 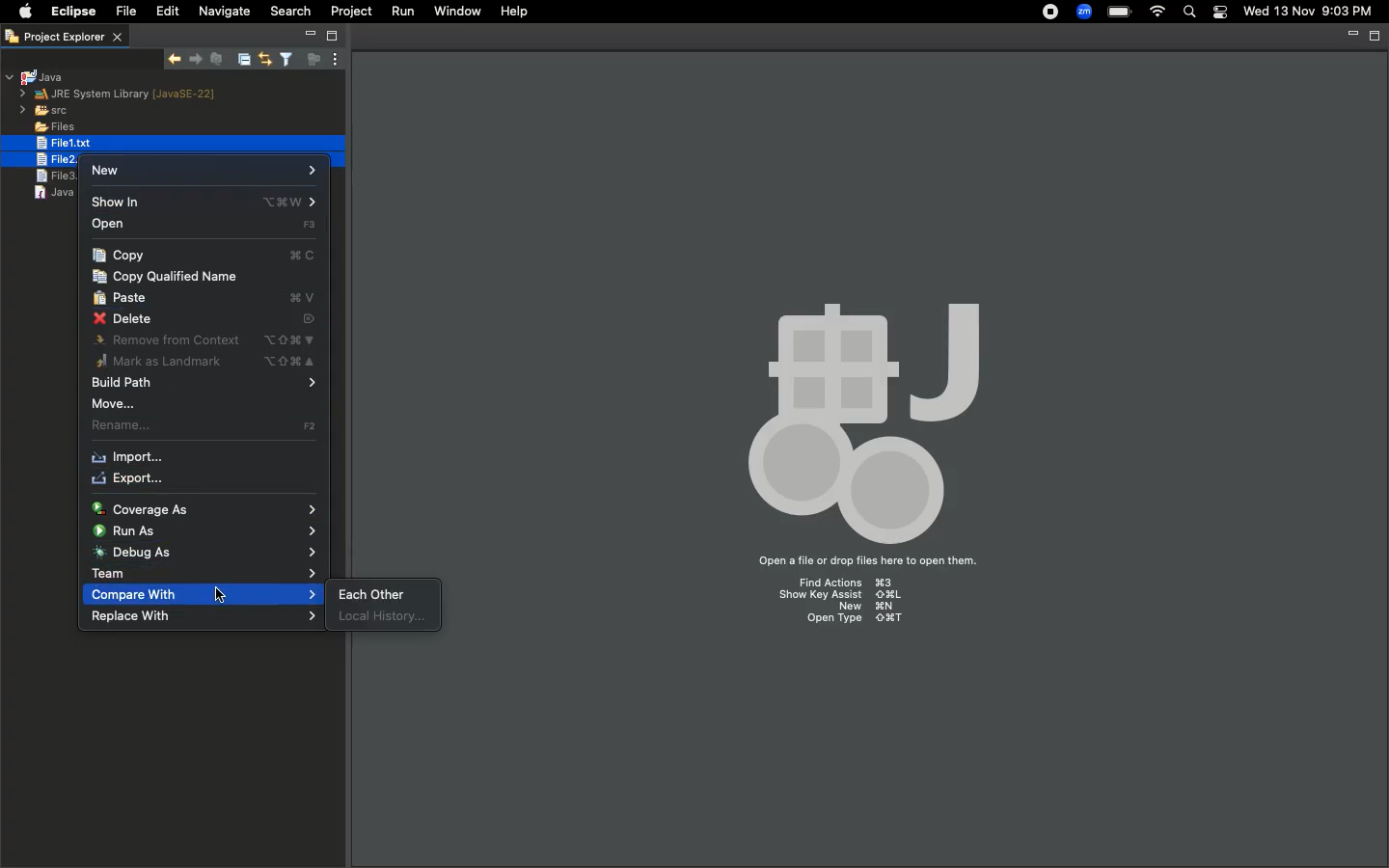 I want to click on Zoom, so click(x=1084, y=12).